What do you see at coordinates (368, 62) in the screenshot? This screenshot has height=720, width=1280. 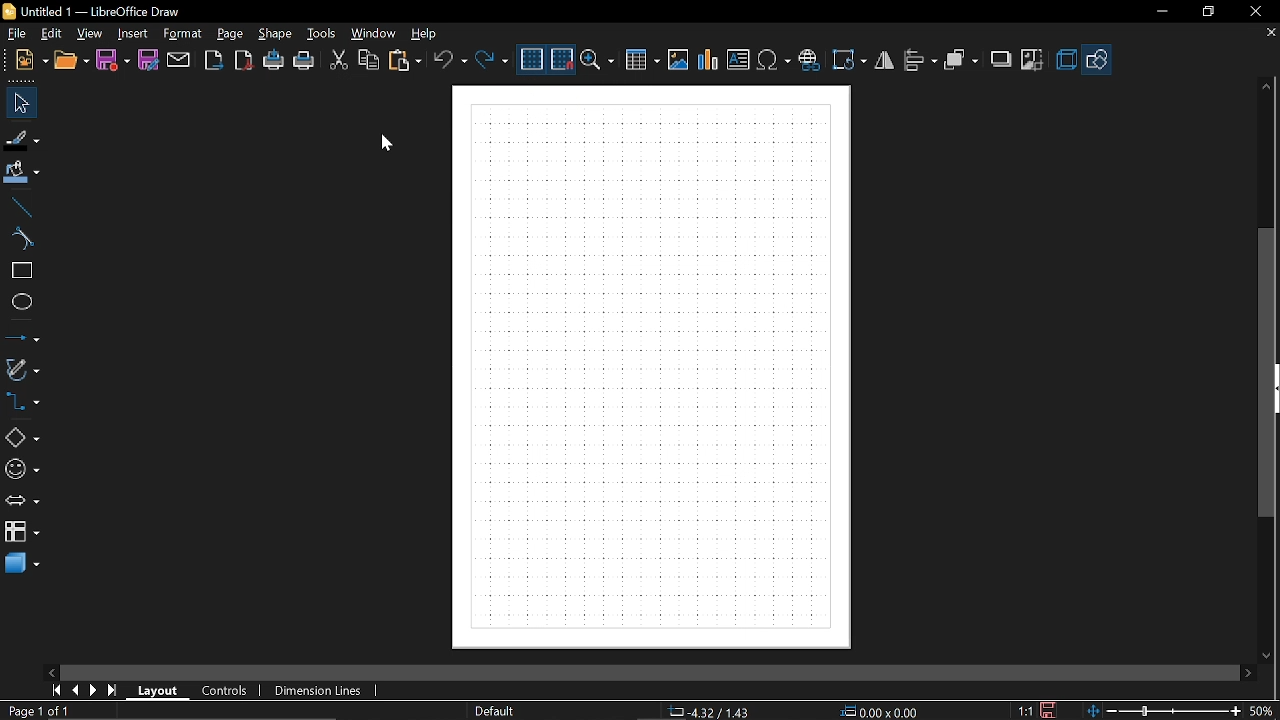 I see `copy` at bounding box center [368, 62].